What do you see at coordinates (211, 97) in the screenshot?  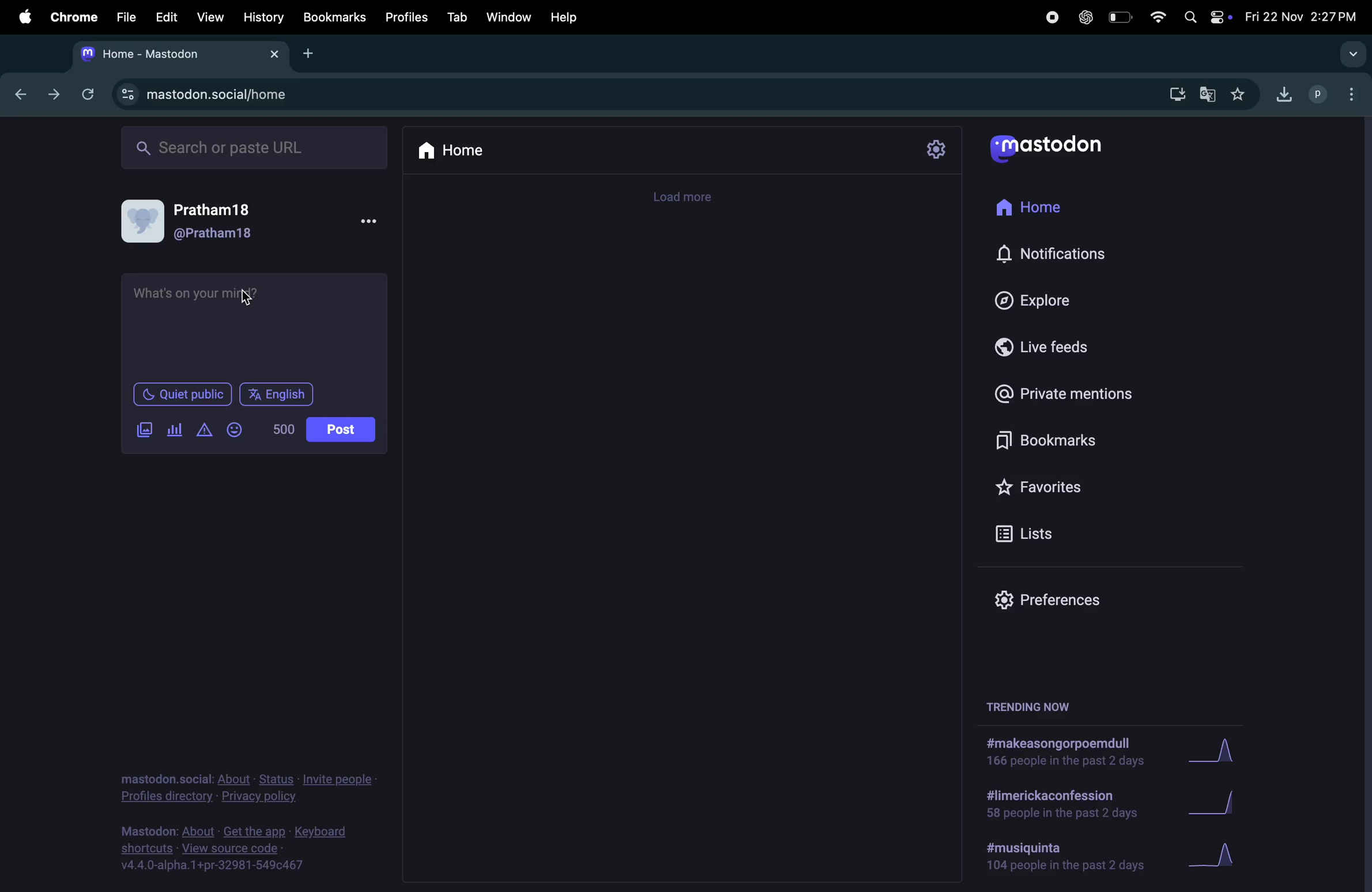 I see `url site` at bounding box center [211, 97].